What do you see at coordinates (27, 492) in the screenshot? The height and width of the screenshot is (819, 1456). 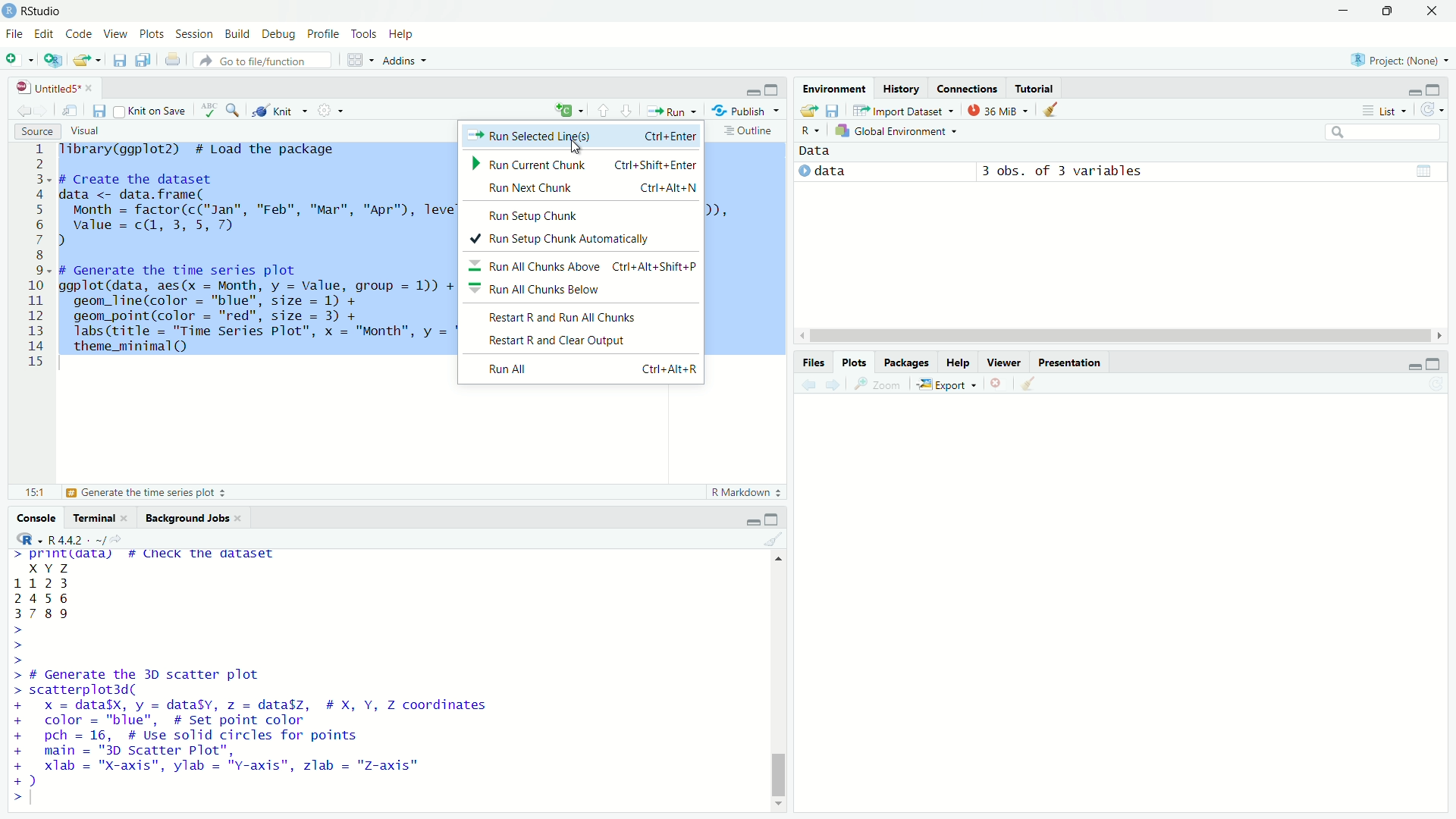 I see `13:63` at bounding box center [27, 492].